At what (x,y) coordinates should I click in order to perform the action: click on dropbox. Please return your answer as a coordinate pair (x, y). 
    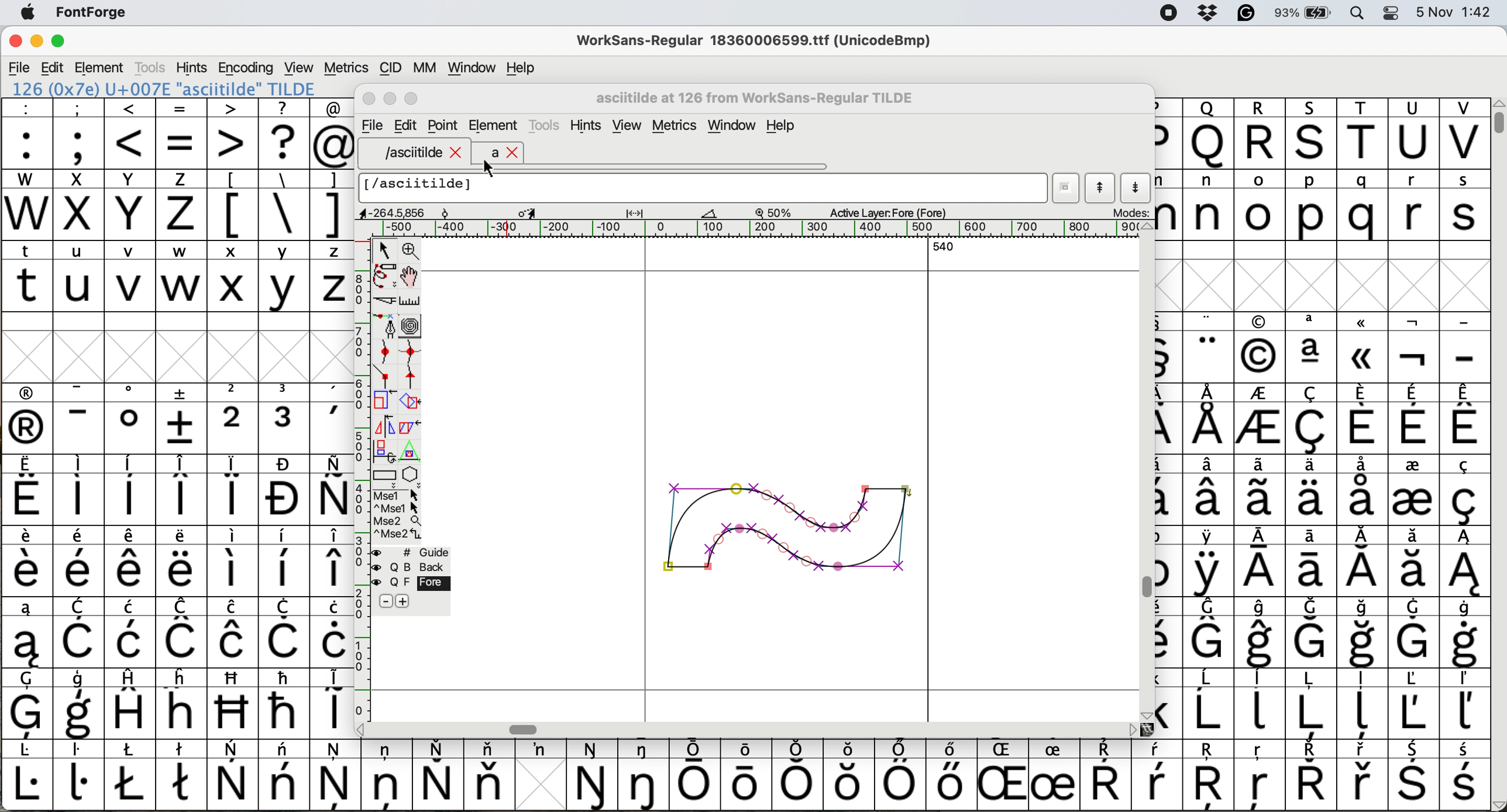
    Looking at the image, I should click on (1204, 13).